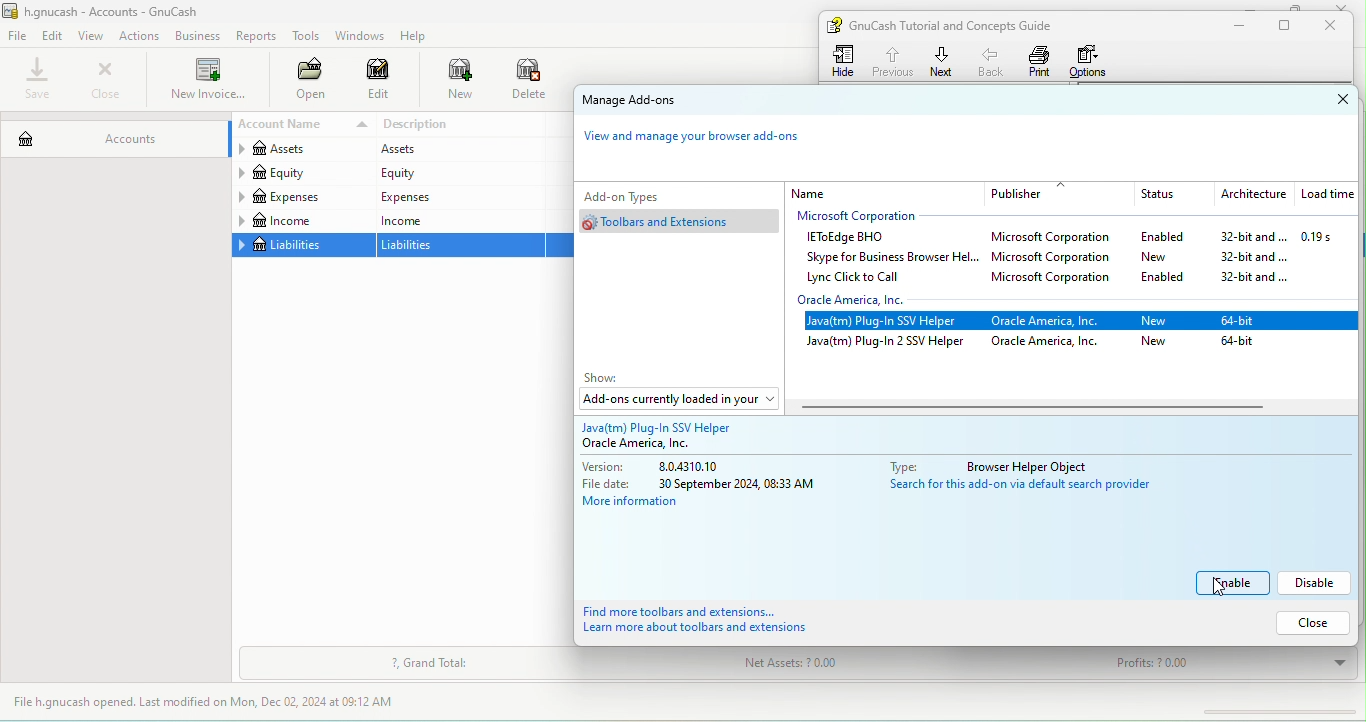 The image size is (1366, 722). What do you see at coordinates (461, 125) in the screenshot?
I see `description` at bounding box center [461, 125].